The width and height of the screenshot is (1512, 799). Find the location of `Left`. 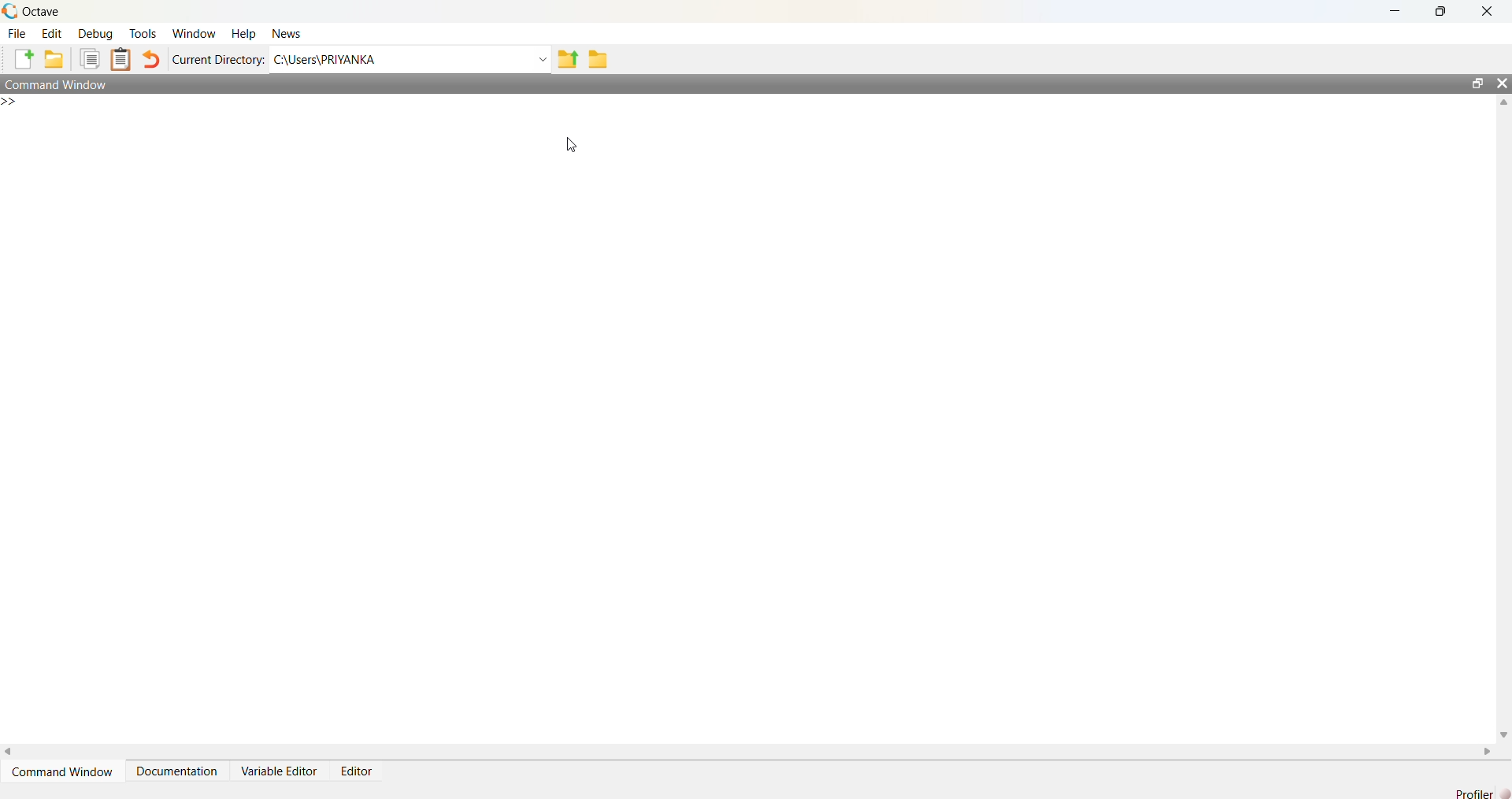

Left is located at coordinates (9, 753).